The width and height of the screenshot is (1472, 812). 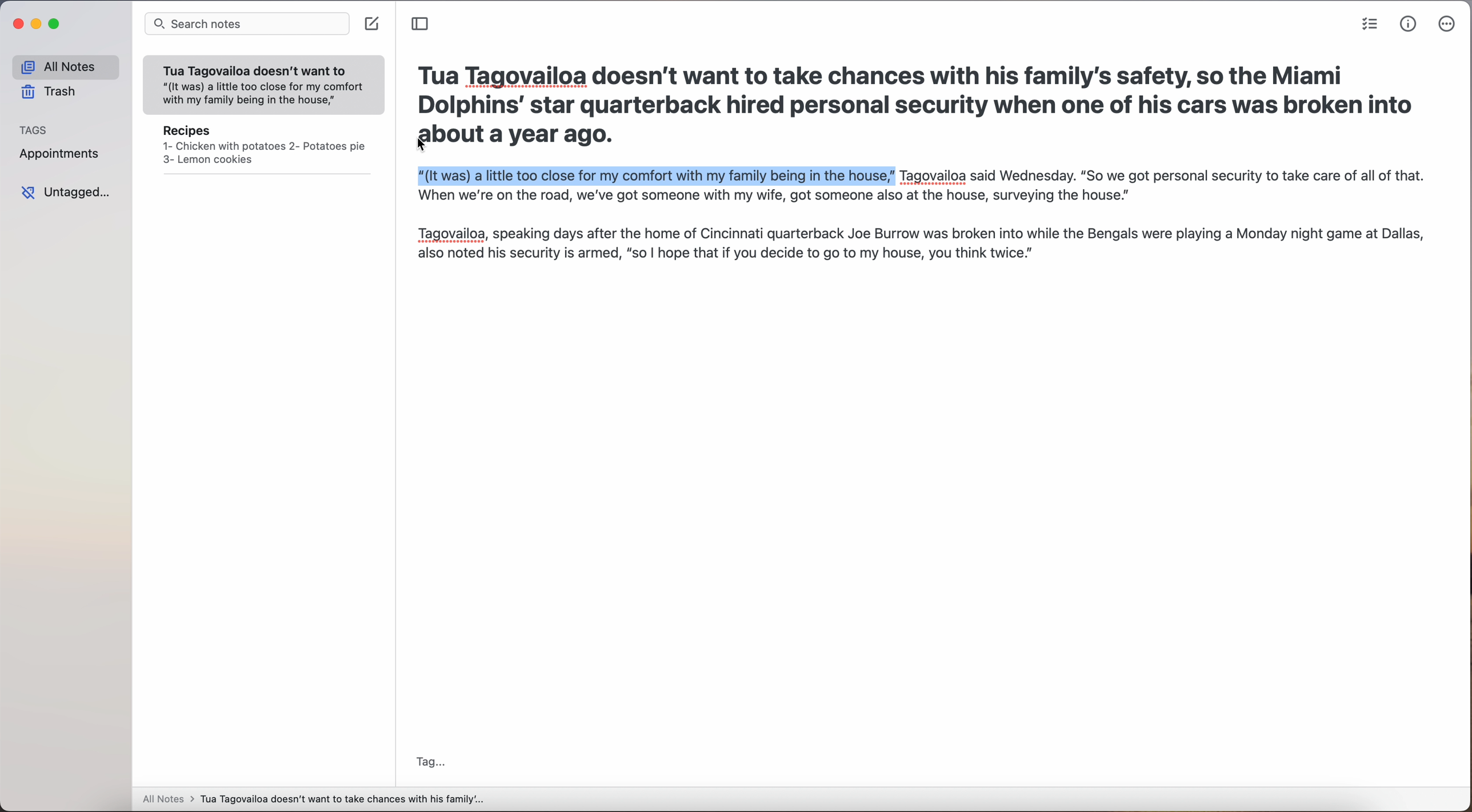 What do you see at coordinates (54, 23) in the screenshot?
I see `maximize Simplenote` at bounding box center [54, 23].